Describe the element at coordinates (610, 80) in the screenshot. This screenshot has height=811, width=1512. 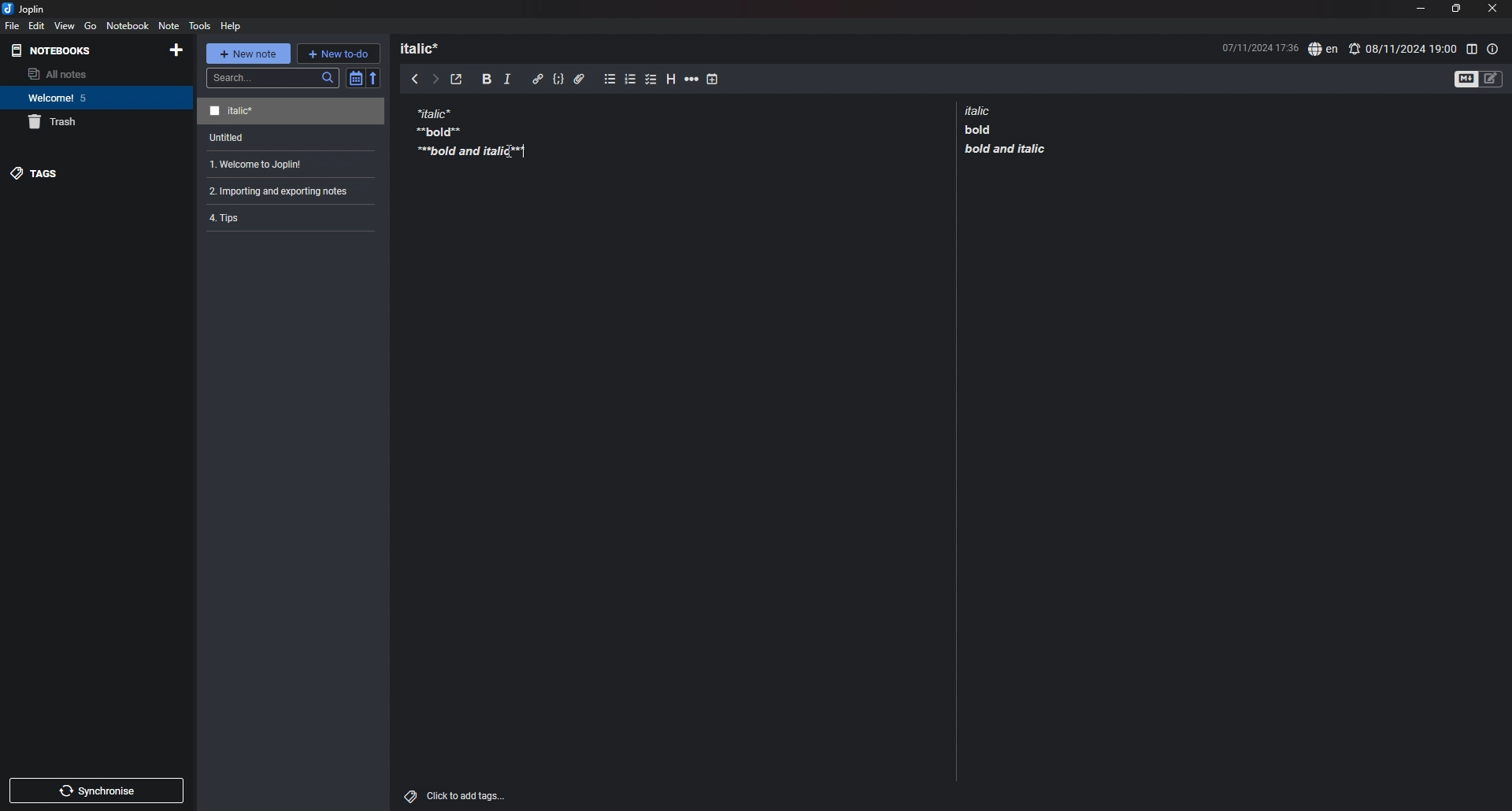
I see `bullet list` at that location.